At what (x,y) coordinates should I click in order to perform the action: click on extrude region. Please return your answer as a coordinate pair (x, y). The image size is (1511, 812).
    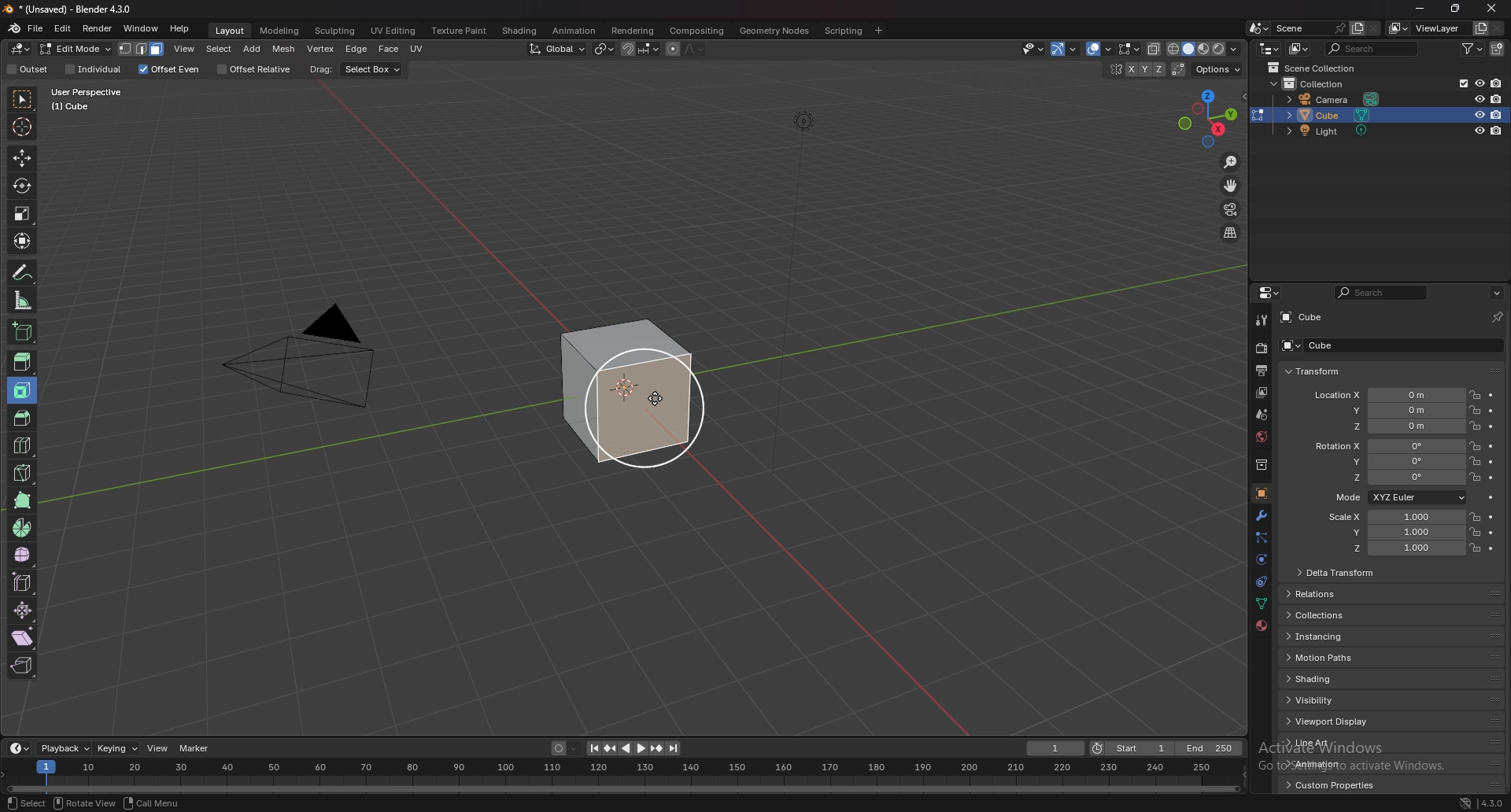
    Looking at the image, I should click on (23, 362).